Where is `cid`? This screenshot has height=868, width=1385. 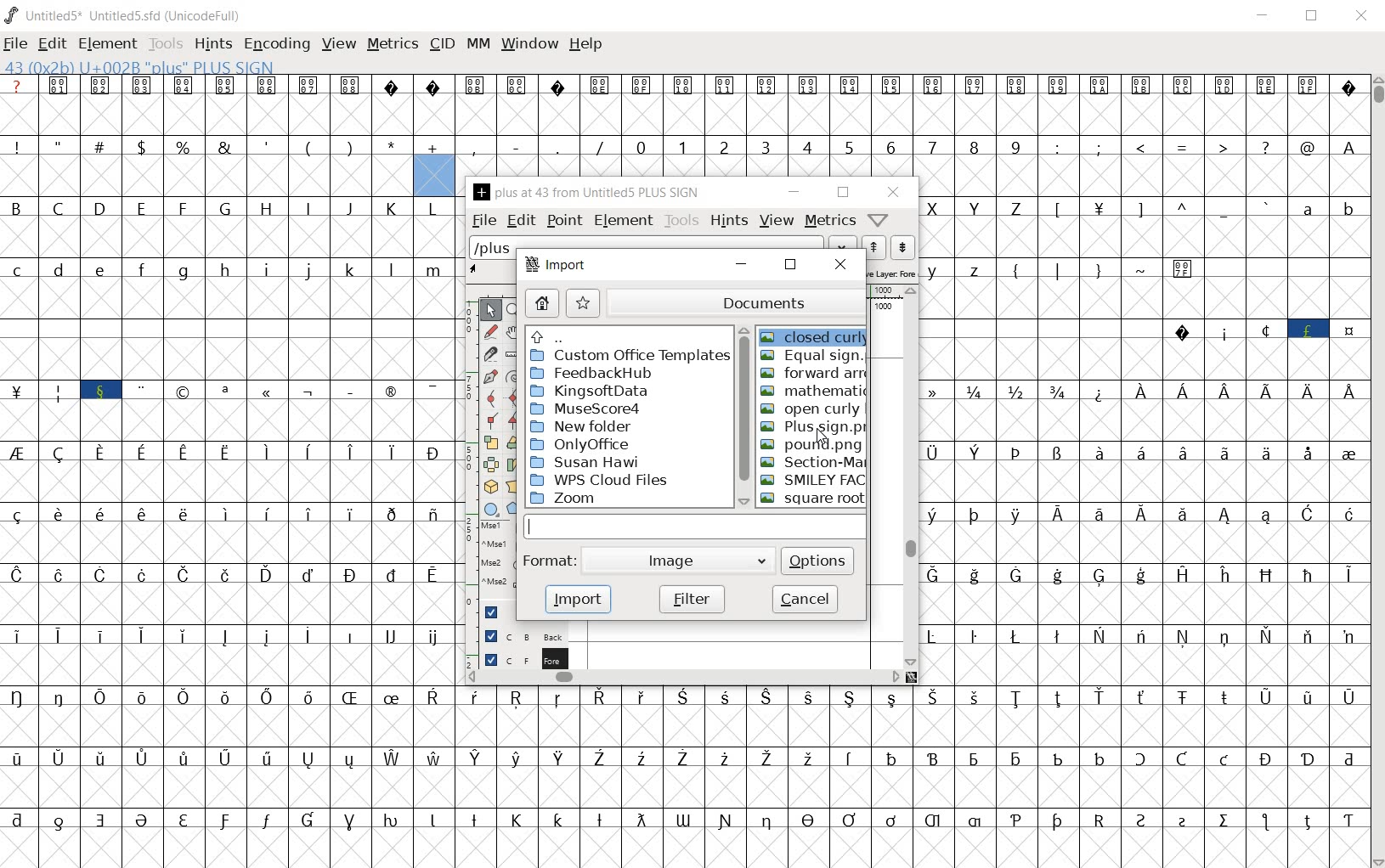
cid is located at coordinates (442, 42).